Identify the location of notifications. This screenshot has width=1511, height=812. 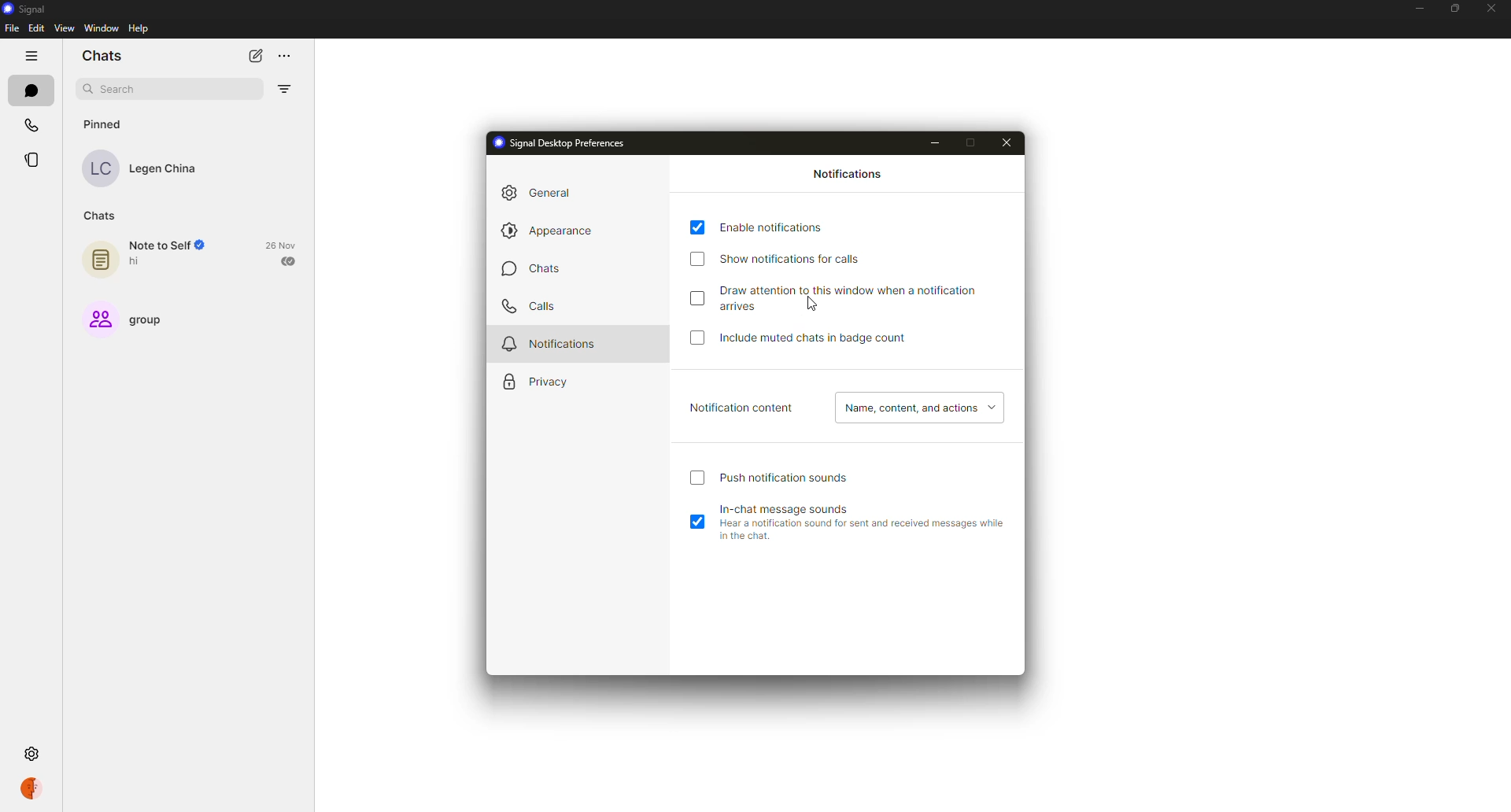
(843, 172).